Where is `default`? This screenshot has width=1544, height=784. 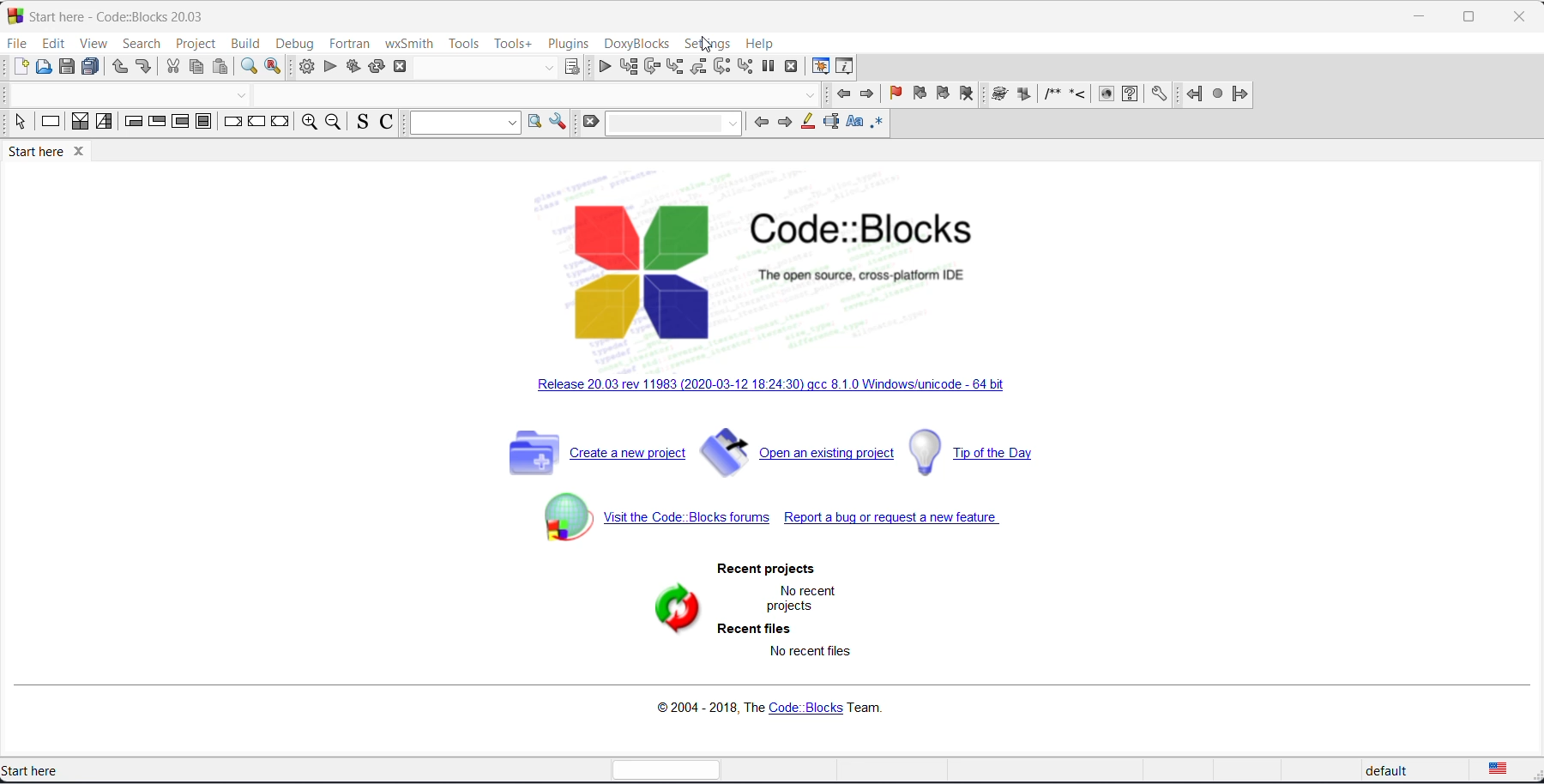 default is located at coordinates (1394, 772).